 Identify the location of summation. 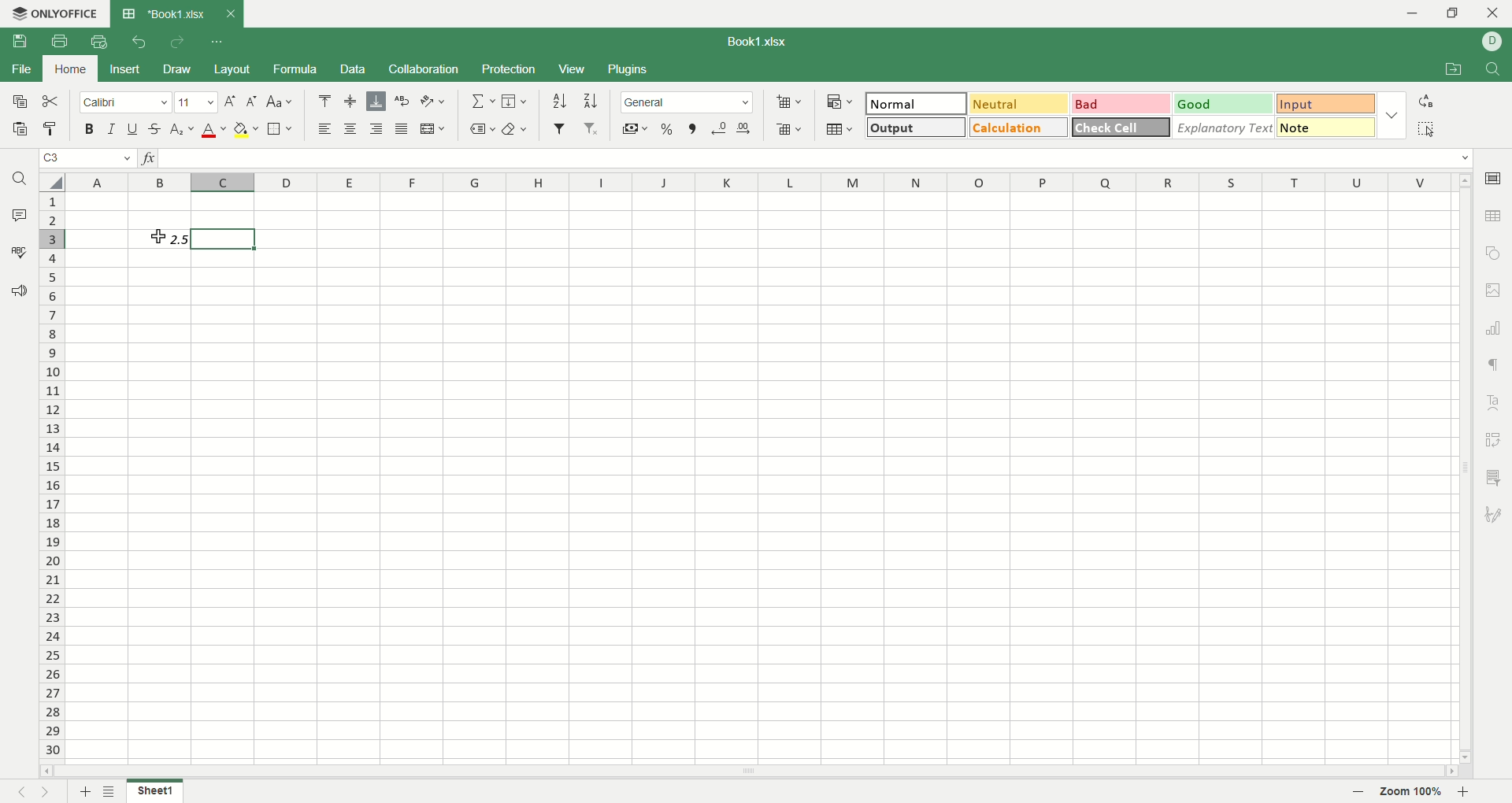
(482, 100).